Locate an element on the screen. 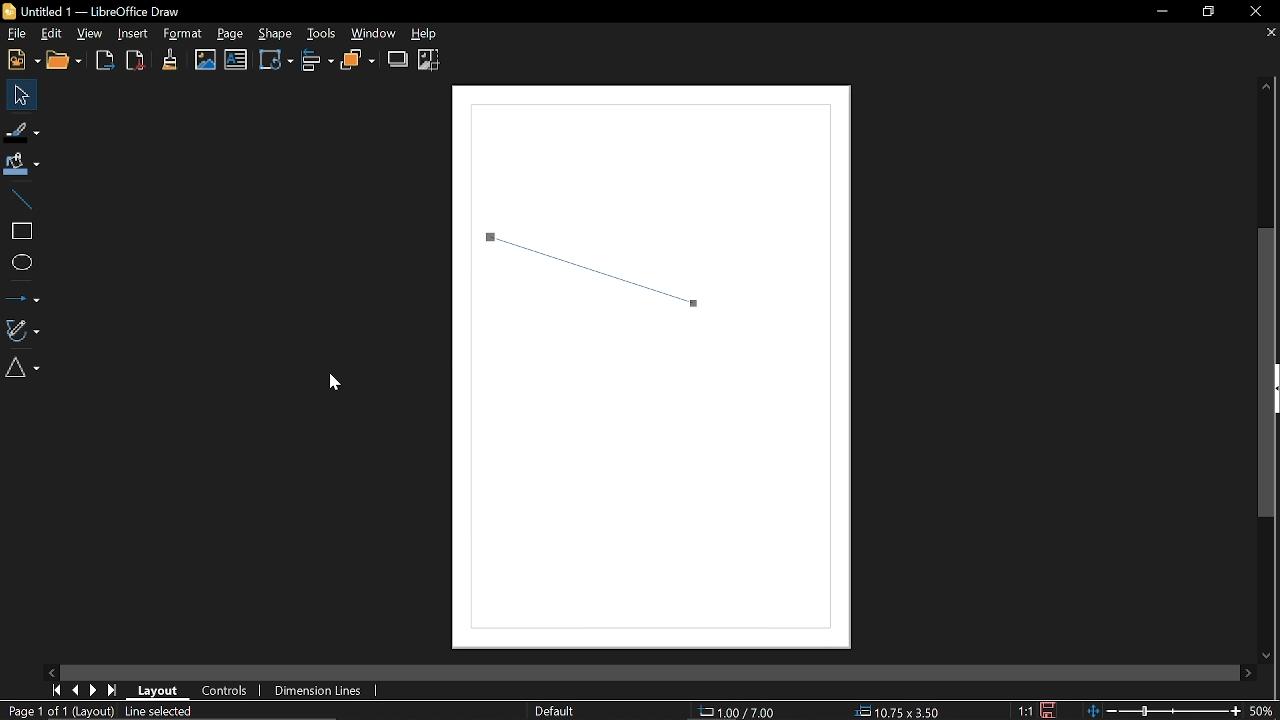 The image size is (1280, 720). Insert image is located at coordinates (206, 60).